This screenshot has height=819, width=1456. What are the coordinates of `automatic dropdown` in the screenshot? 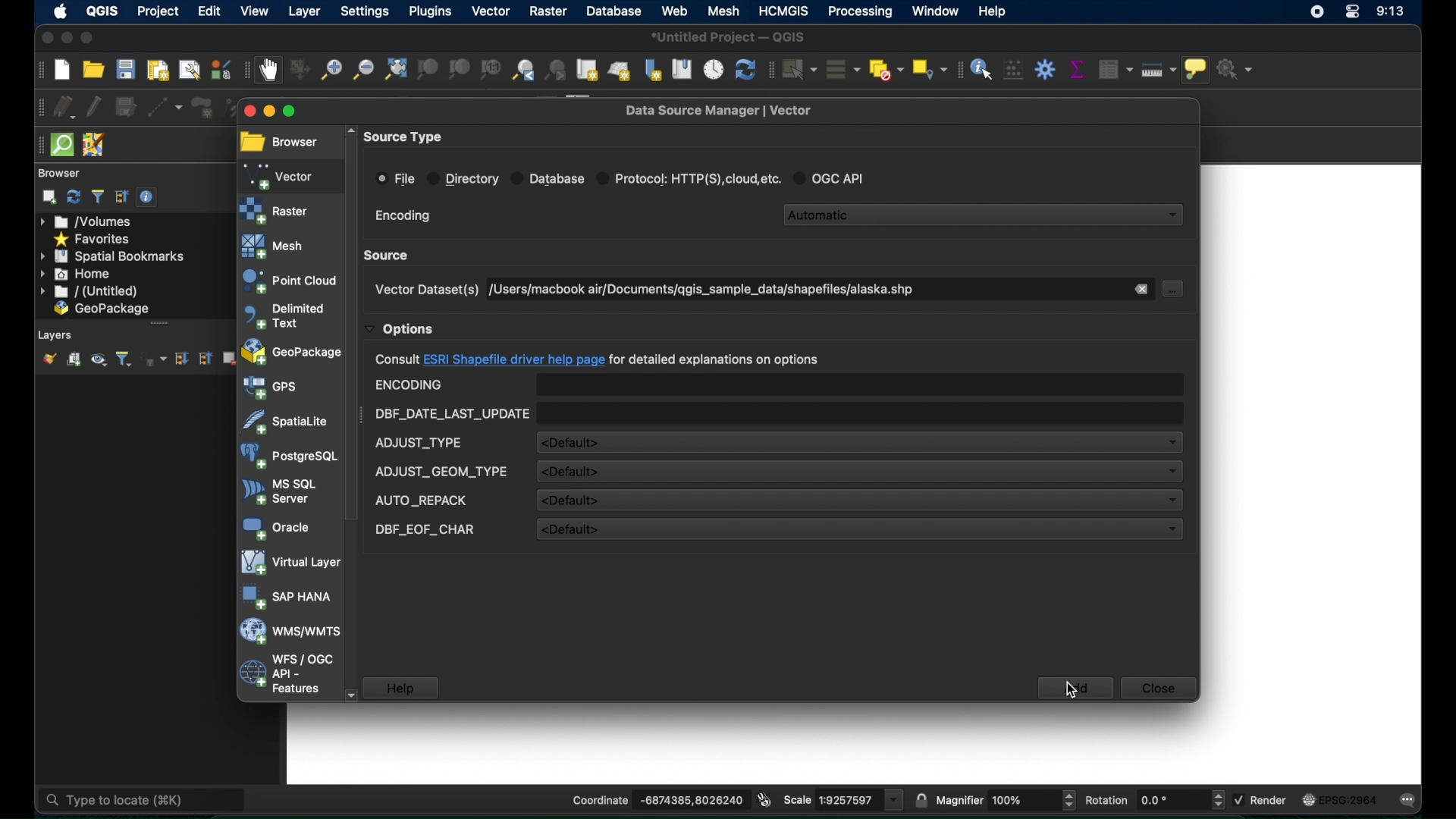 It's located at (985, 213).